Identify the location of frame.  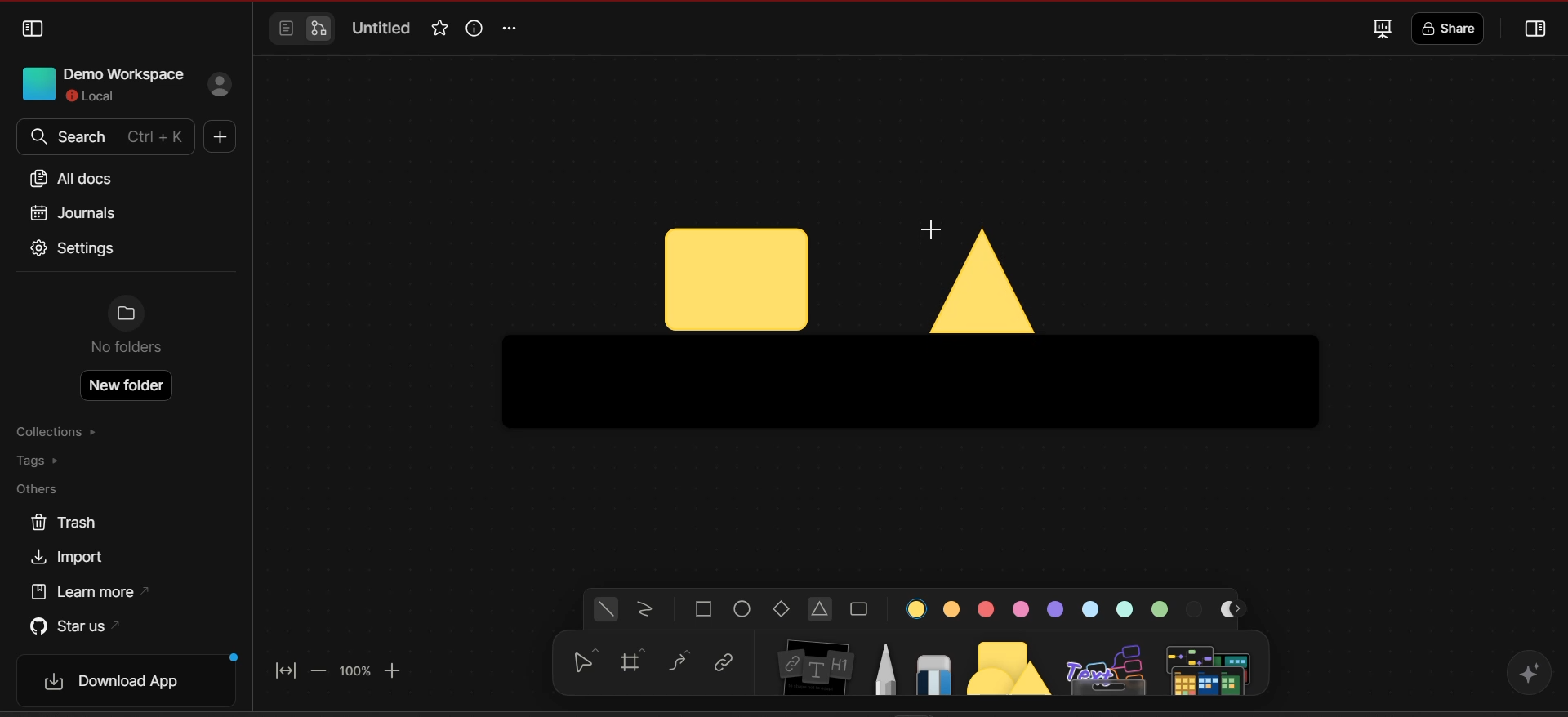
(638, 662).